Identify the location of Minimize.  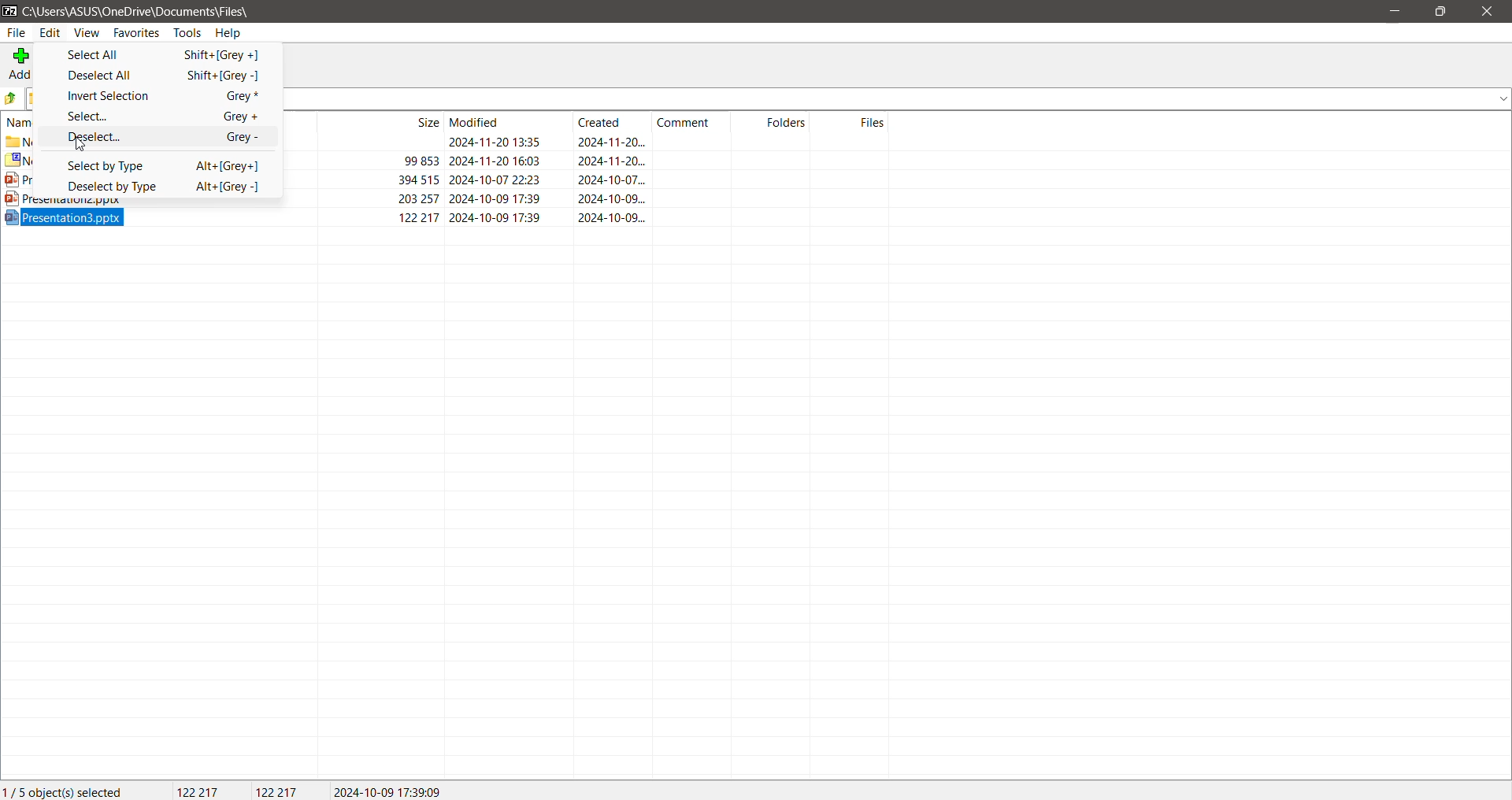
(1394, 11).